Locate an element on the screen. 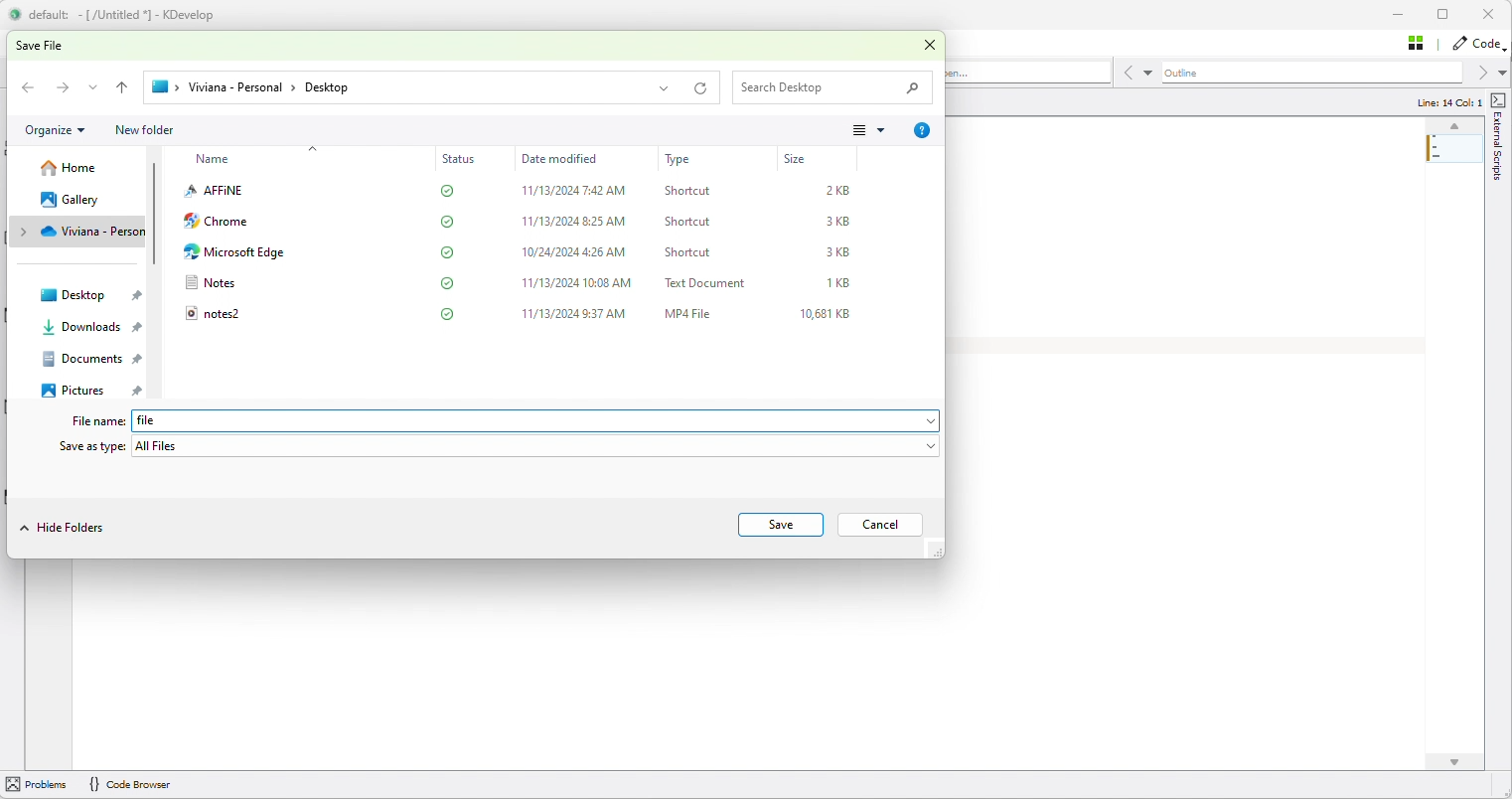 The width and height of the screenshot is (1512, 799). file is located at coordinates (536, 420).